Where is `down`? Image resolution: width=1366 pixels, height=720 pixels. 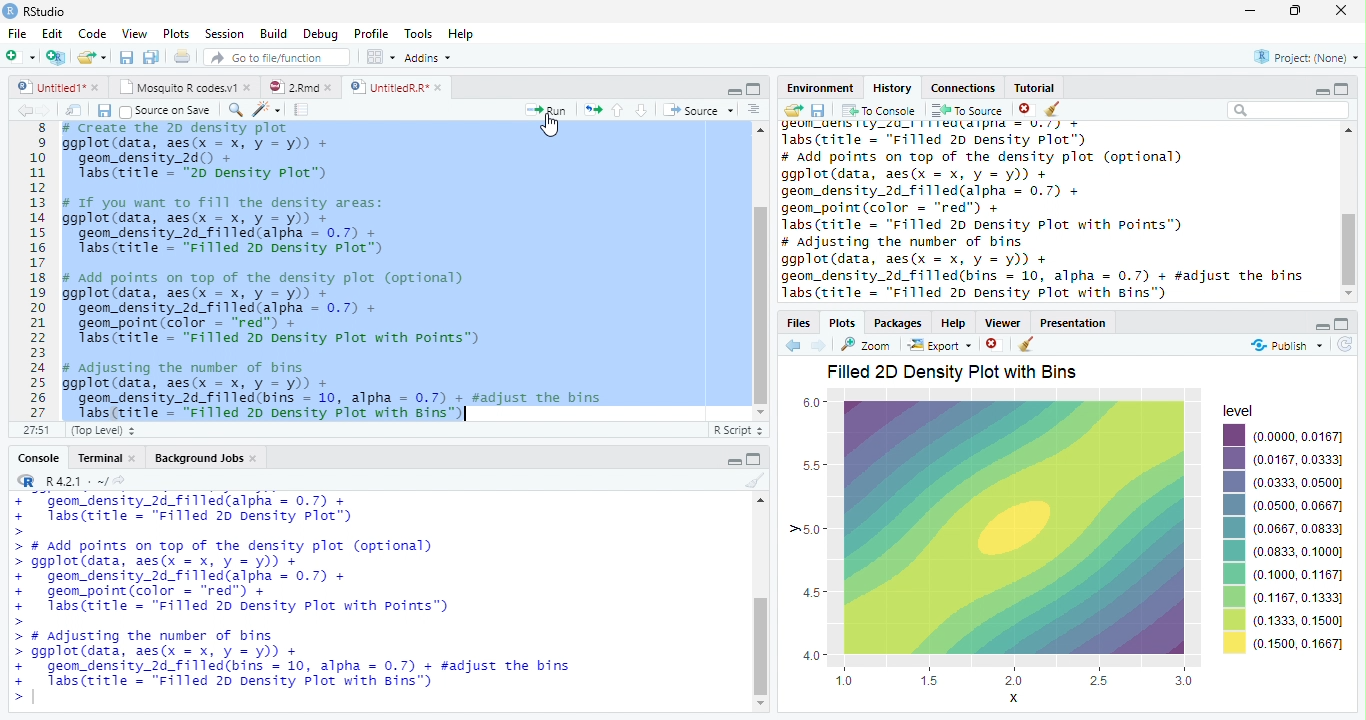 down is located at coordinates (759, 704).